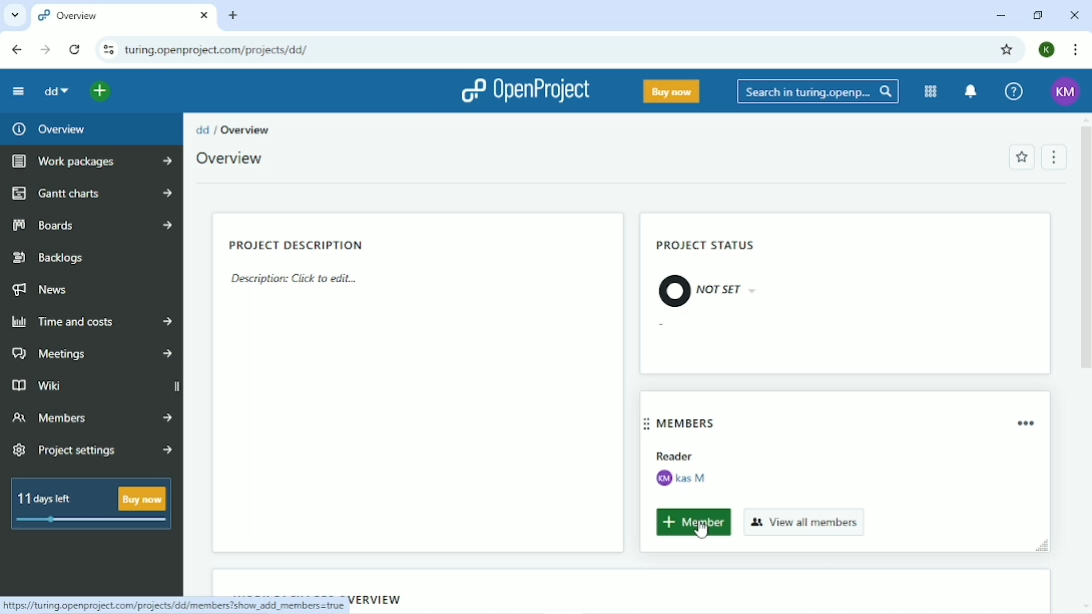 The height and width of the screenshot is (614, 1092). Describe the element at coordinates (58, 92) in the screenshot. I see `dd` at that location.